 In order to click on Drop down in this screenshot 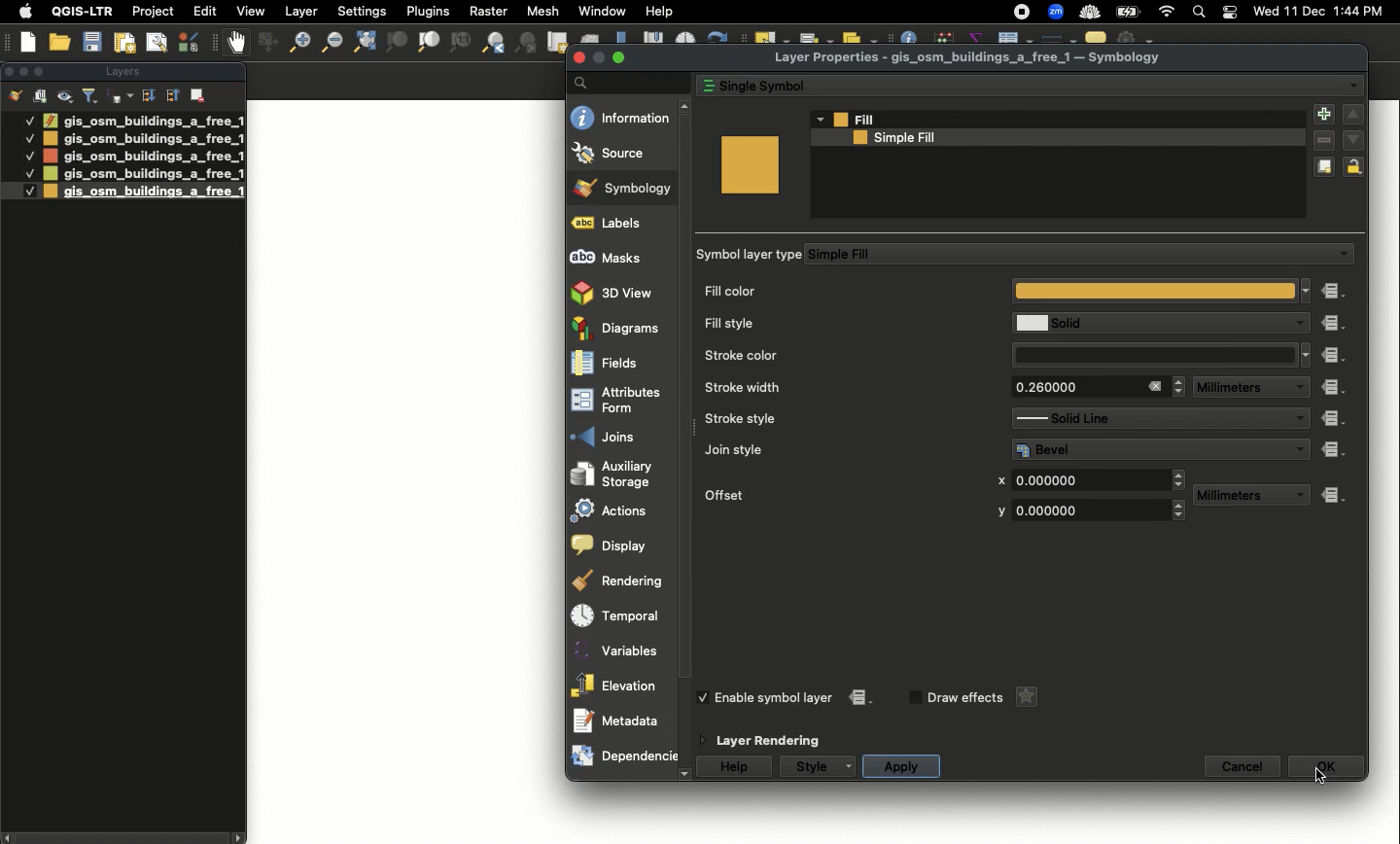, I will do `click(1296, 324)`.